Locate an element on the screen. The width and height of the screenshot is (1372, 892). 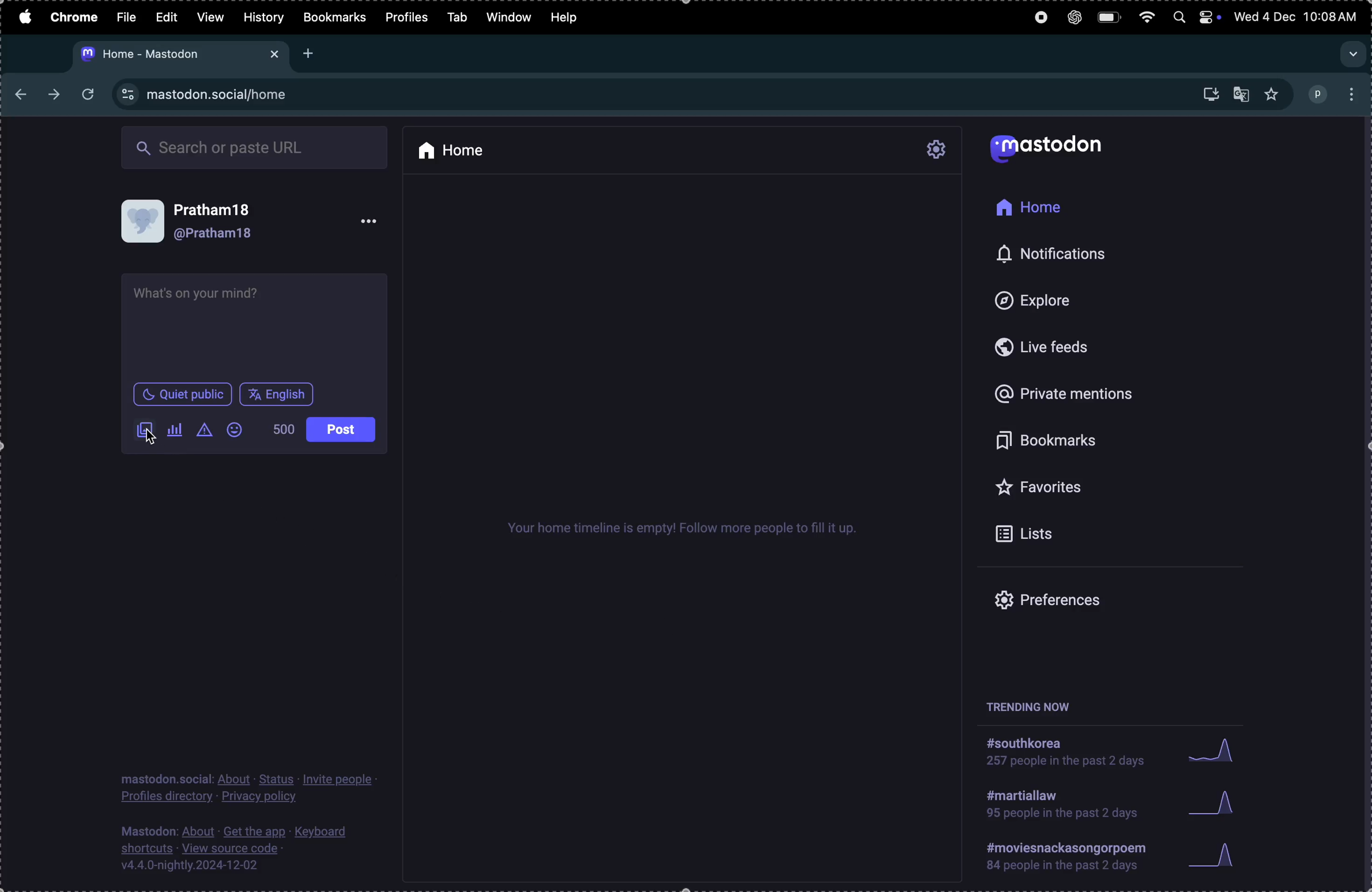
cursor is located at coordinates (1363, 504).